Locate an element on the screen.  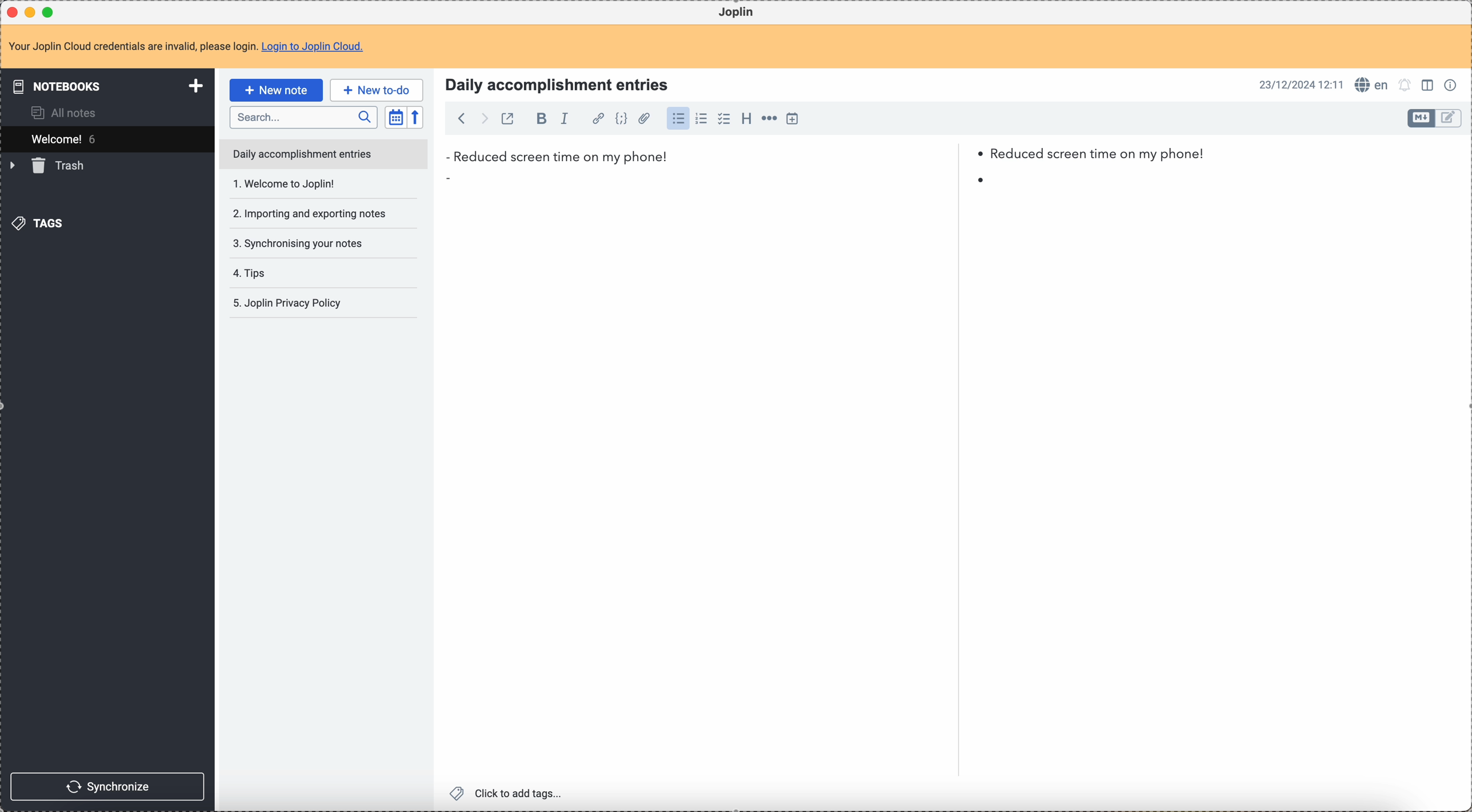
back is located at coordinates (458, 118).